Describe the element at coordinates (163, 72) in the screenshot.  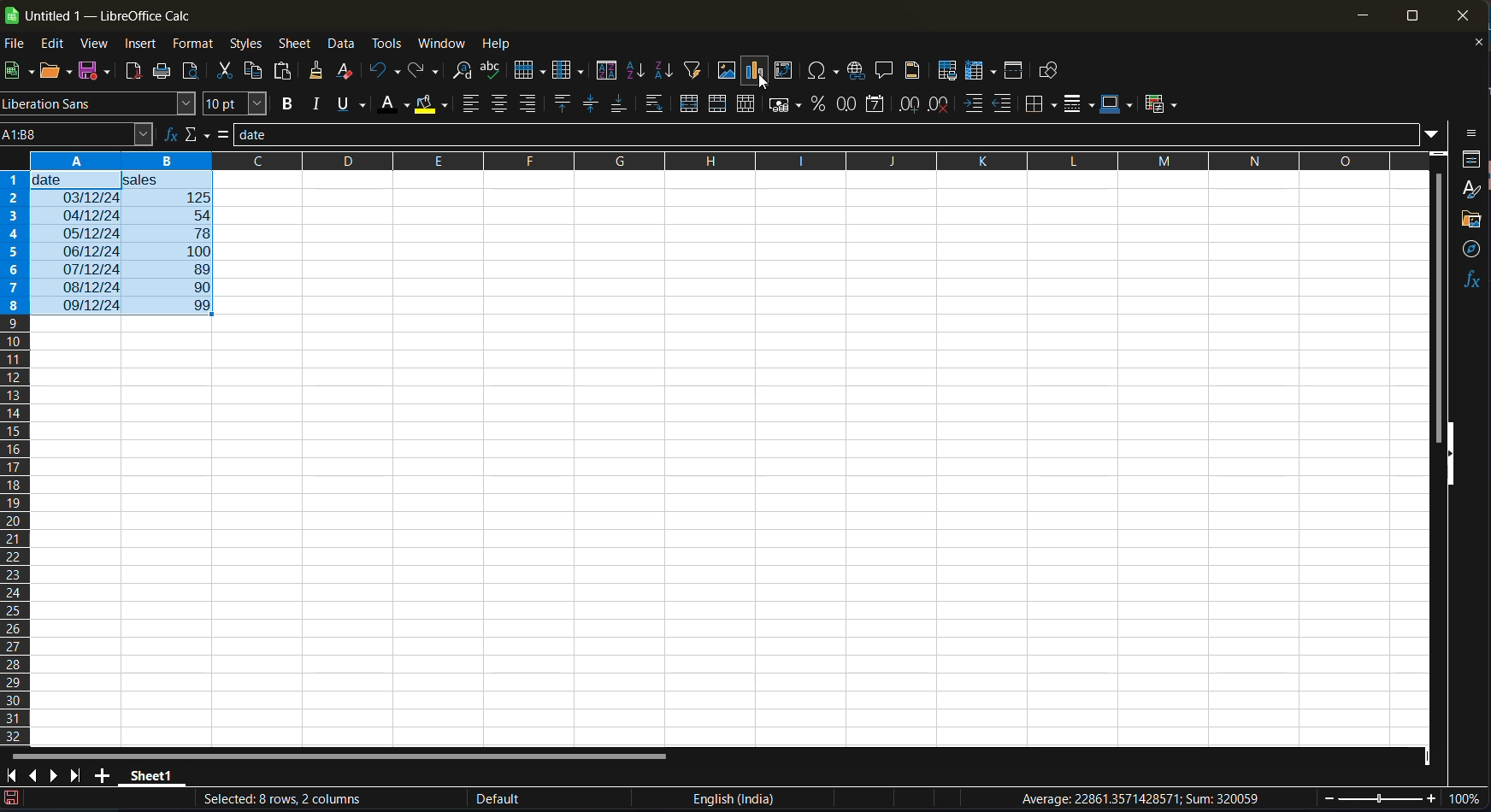
I see `print` at that location.